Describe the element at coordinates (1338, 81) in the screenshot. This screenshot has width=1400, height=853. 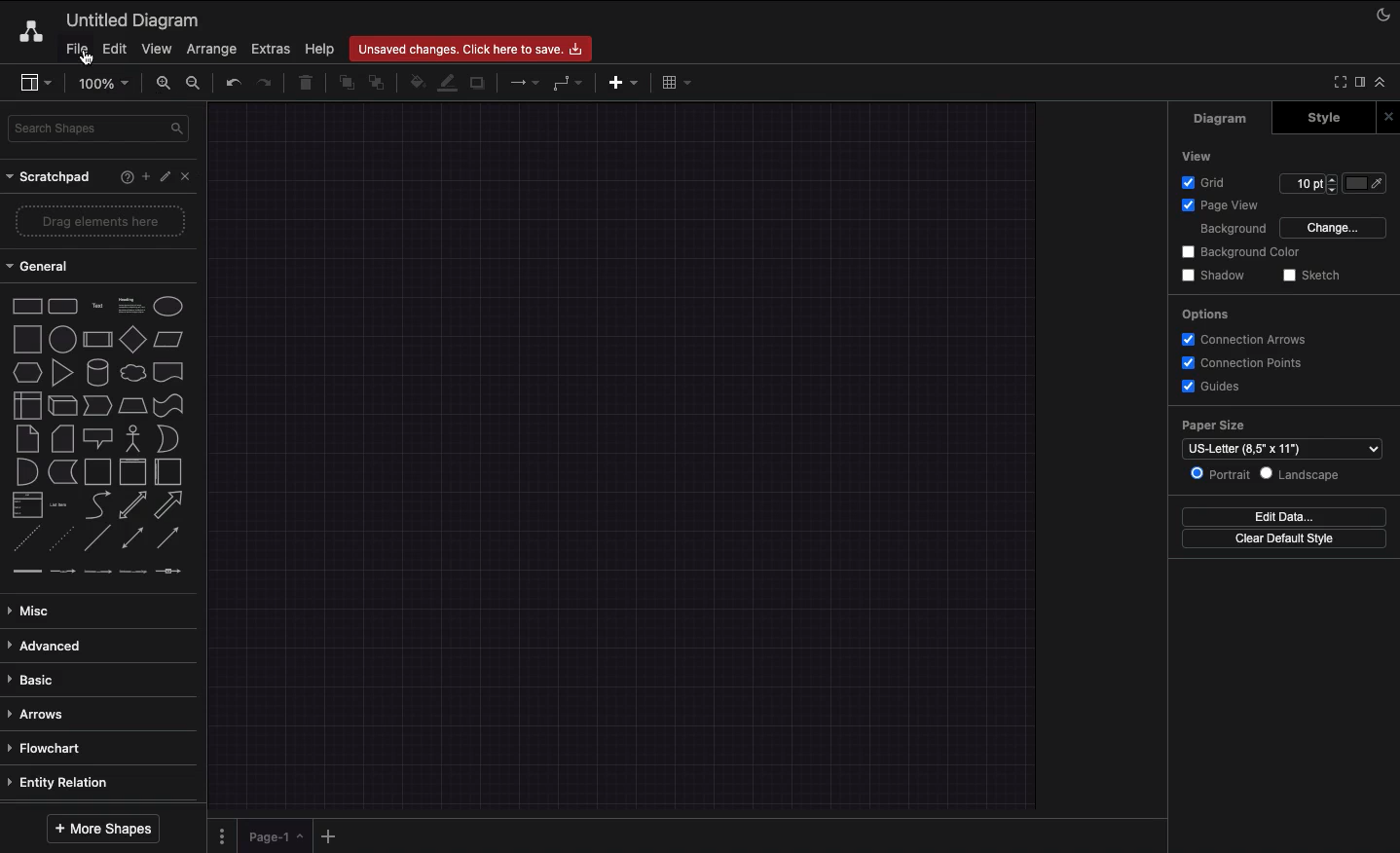
I see `Full screen` at that location.